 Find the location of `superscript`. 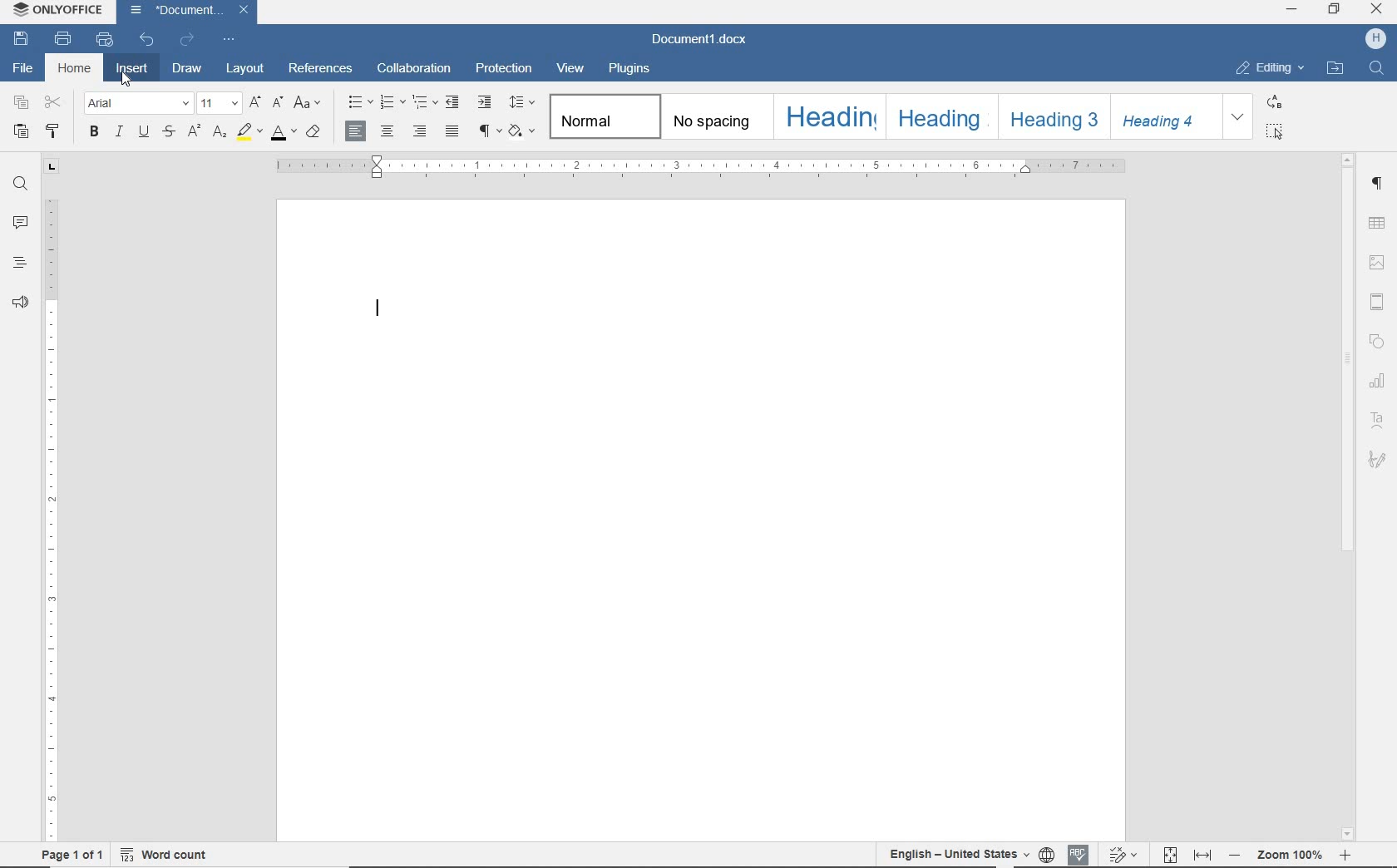

superscript is located at coordinates (193, 131).